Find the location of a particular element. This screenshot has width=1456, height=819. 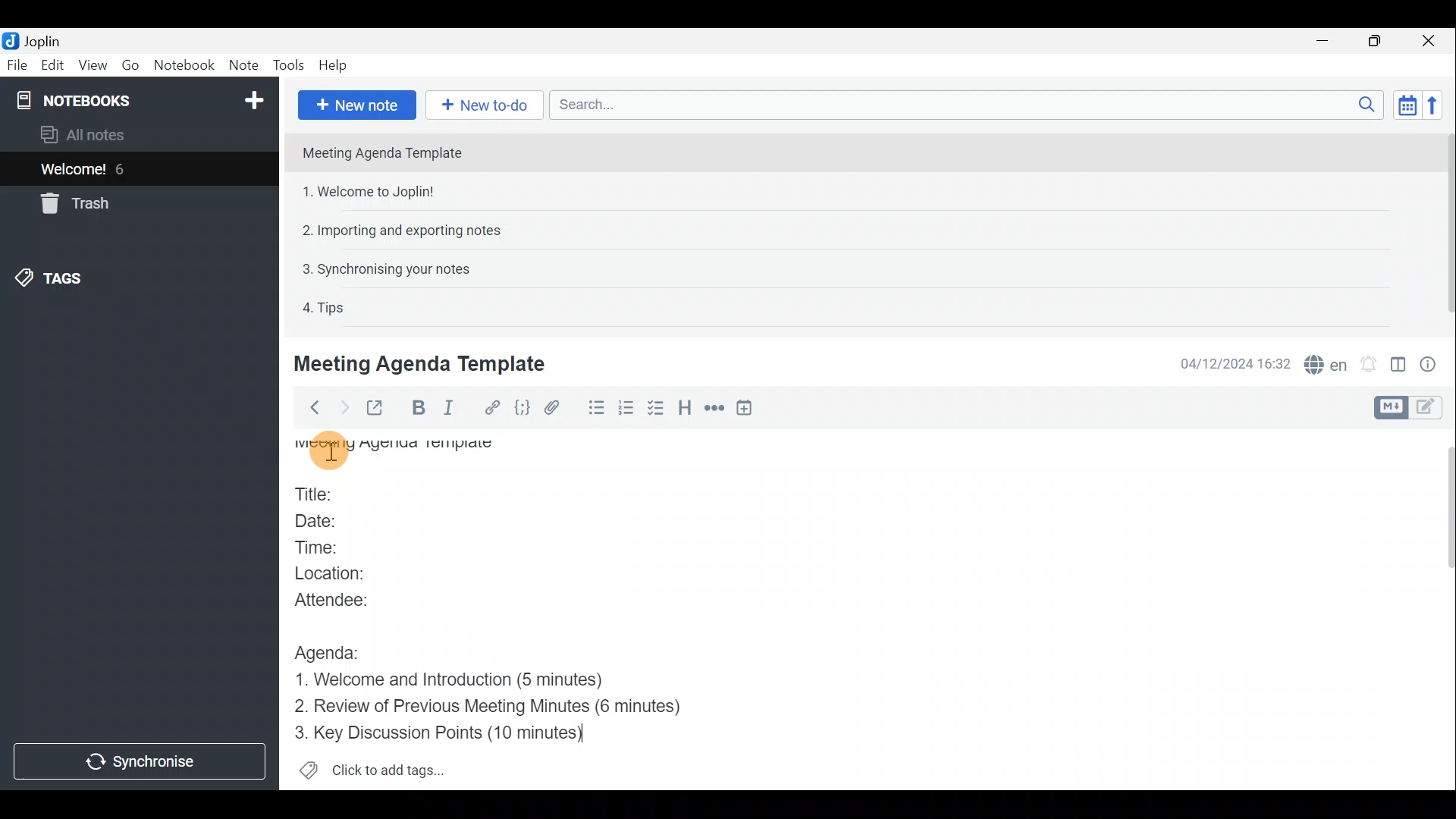

New to-do is located at coordinates (482, 104).